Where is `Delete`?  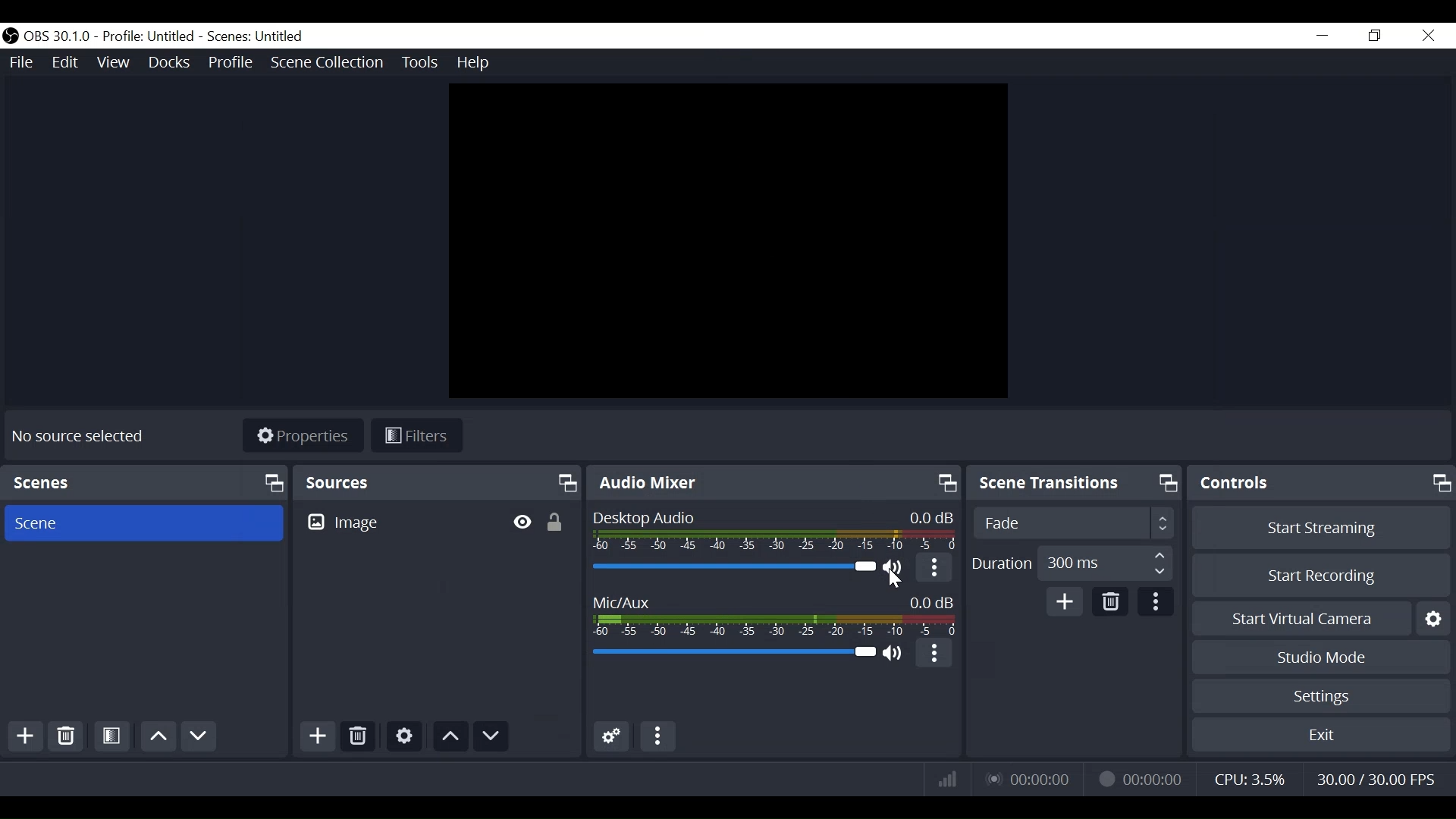
Delete is located at coordinates (66, 739).